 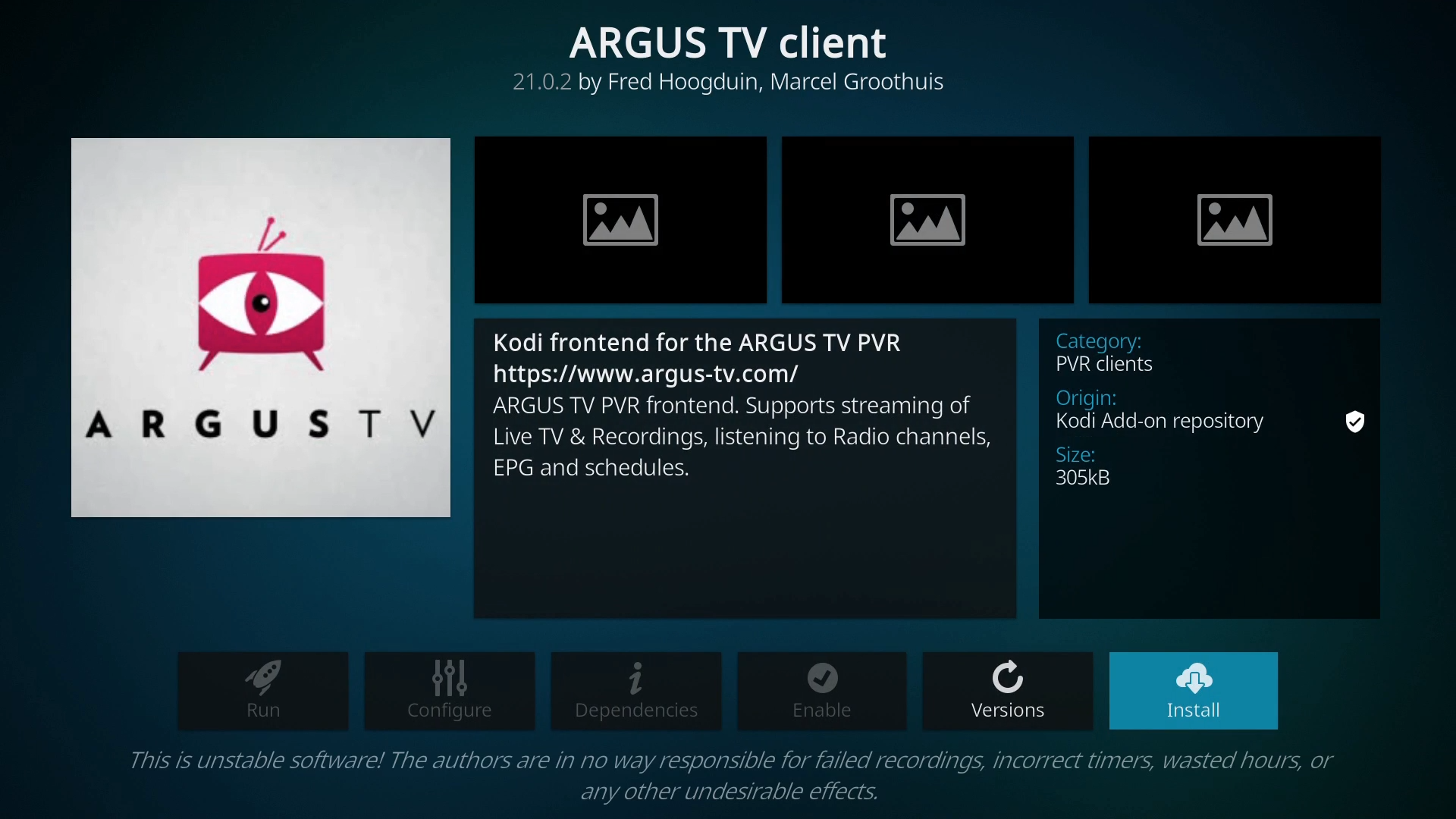 I want to click on insert image, so click(x=1239, y=219).